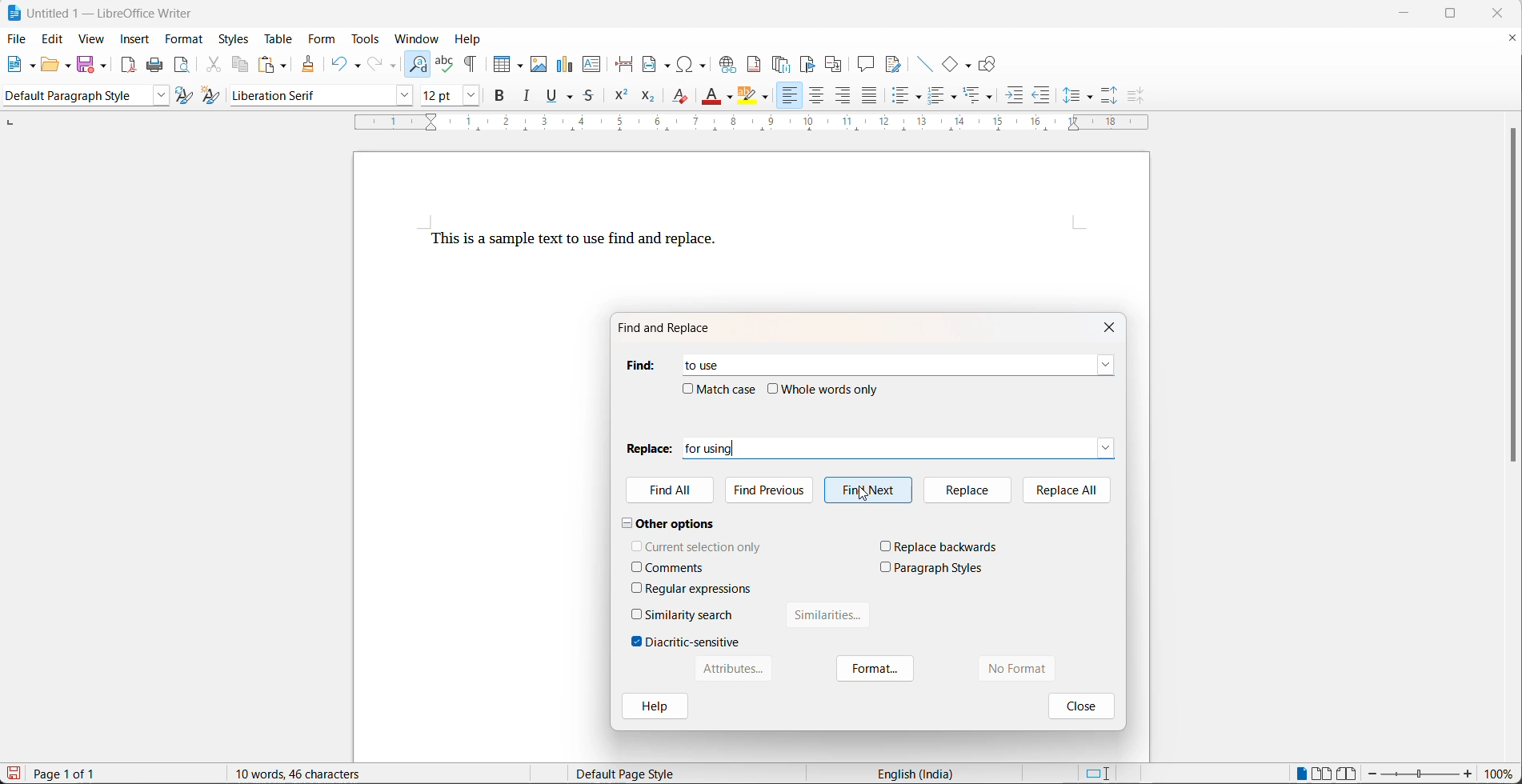 The width and height of the screenshot is (1522, 784). Describe the element at coordinates (591, 98) in the screenshot. I see `strike through` at that location.